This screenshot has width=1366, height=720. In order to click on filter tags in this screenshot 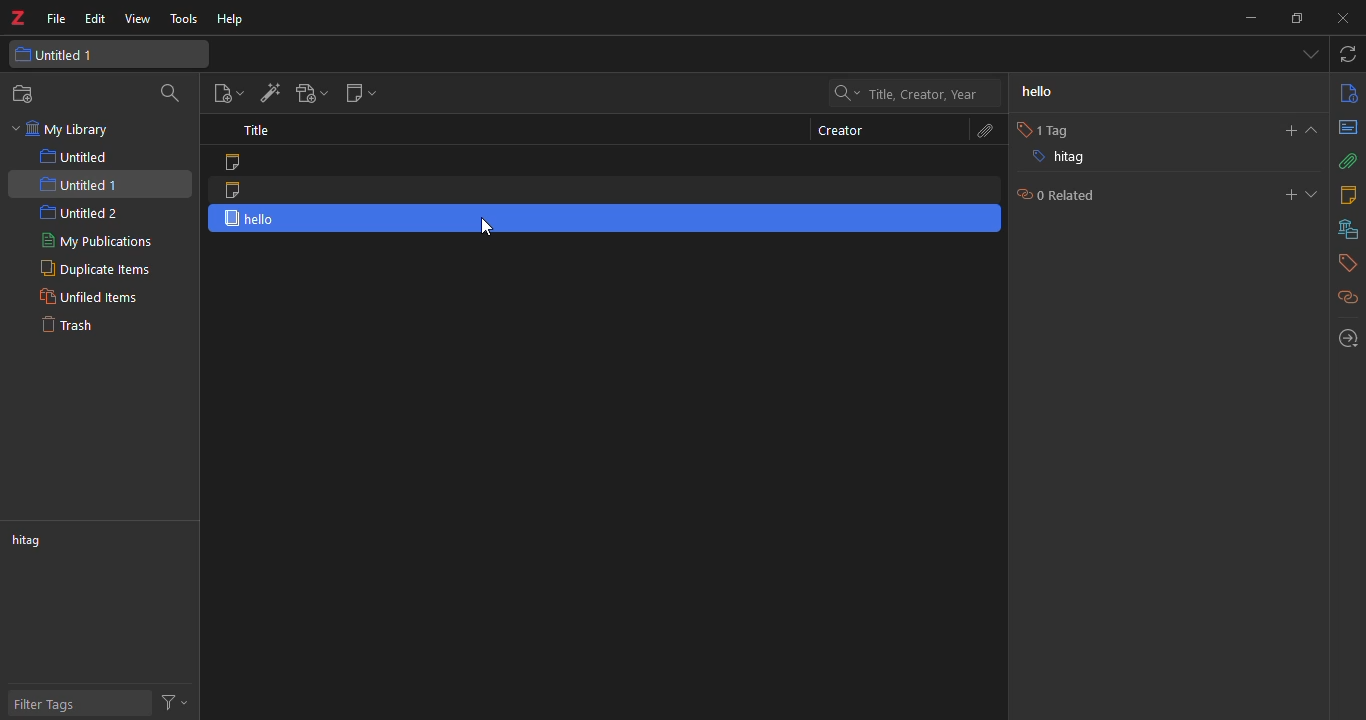, I will do `click(49, 706)`.